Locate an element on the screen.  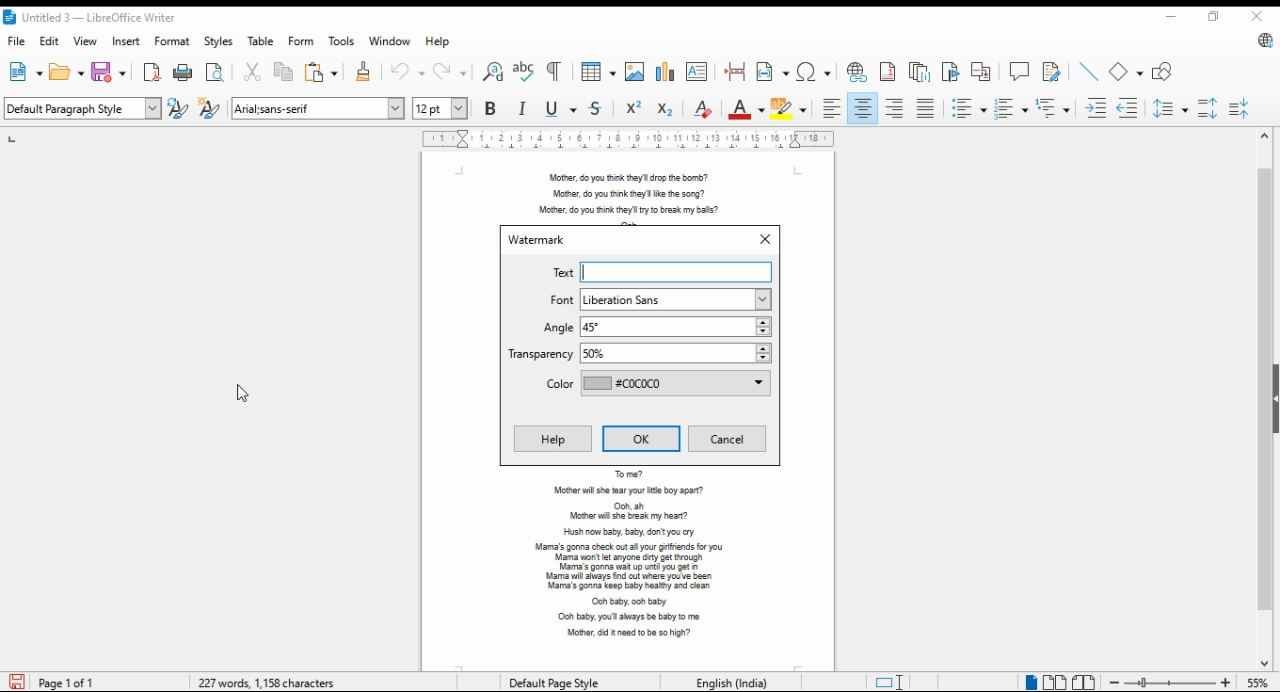
zoom in/zoom out slider is located at coordinates (1170, 683).